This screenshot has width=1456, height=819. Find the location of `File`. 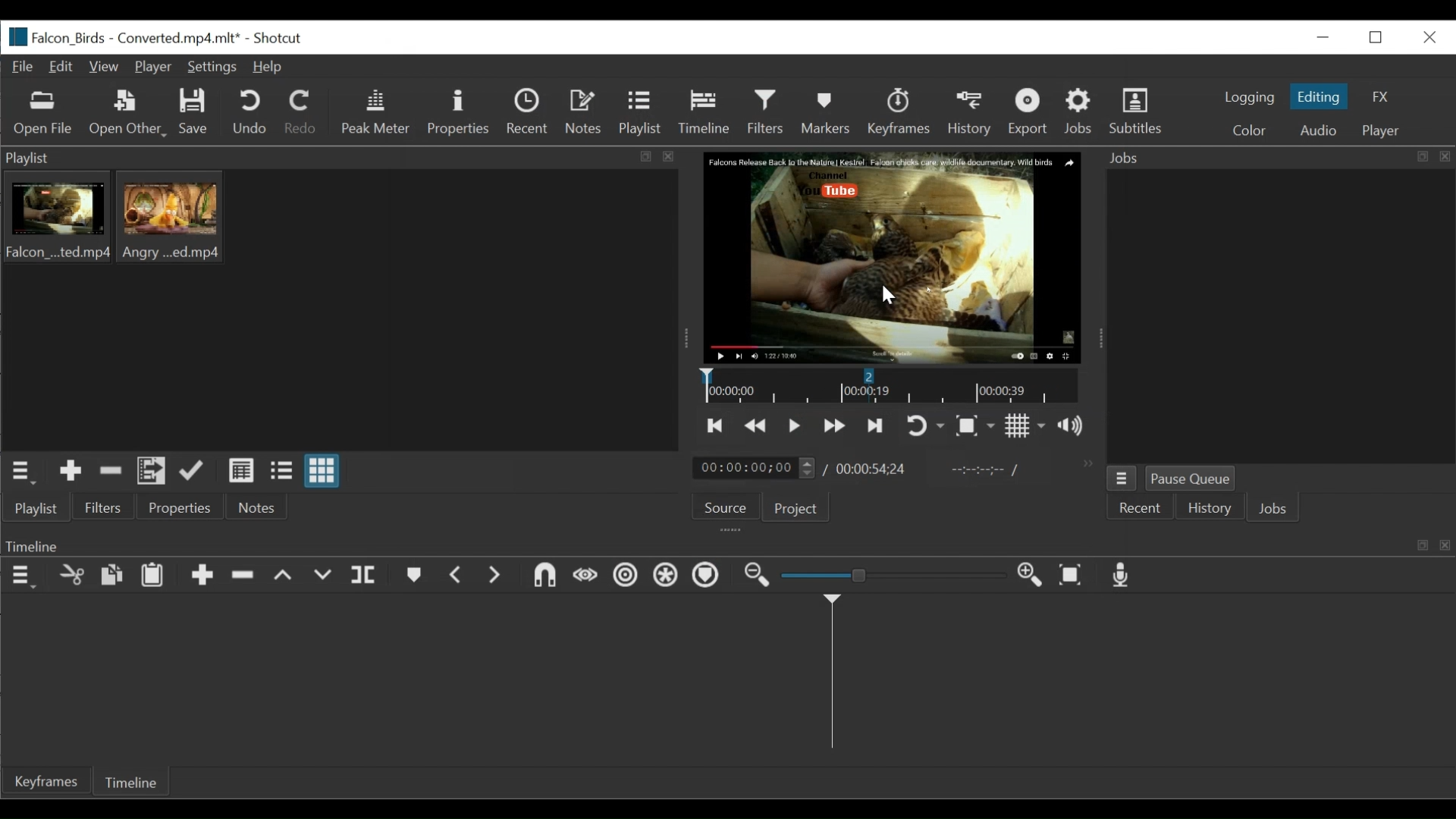

File is located at coordinates (24, 67).